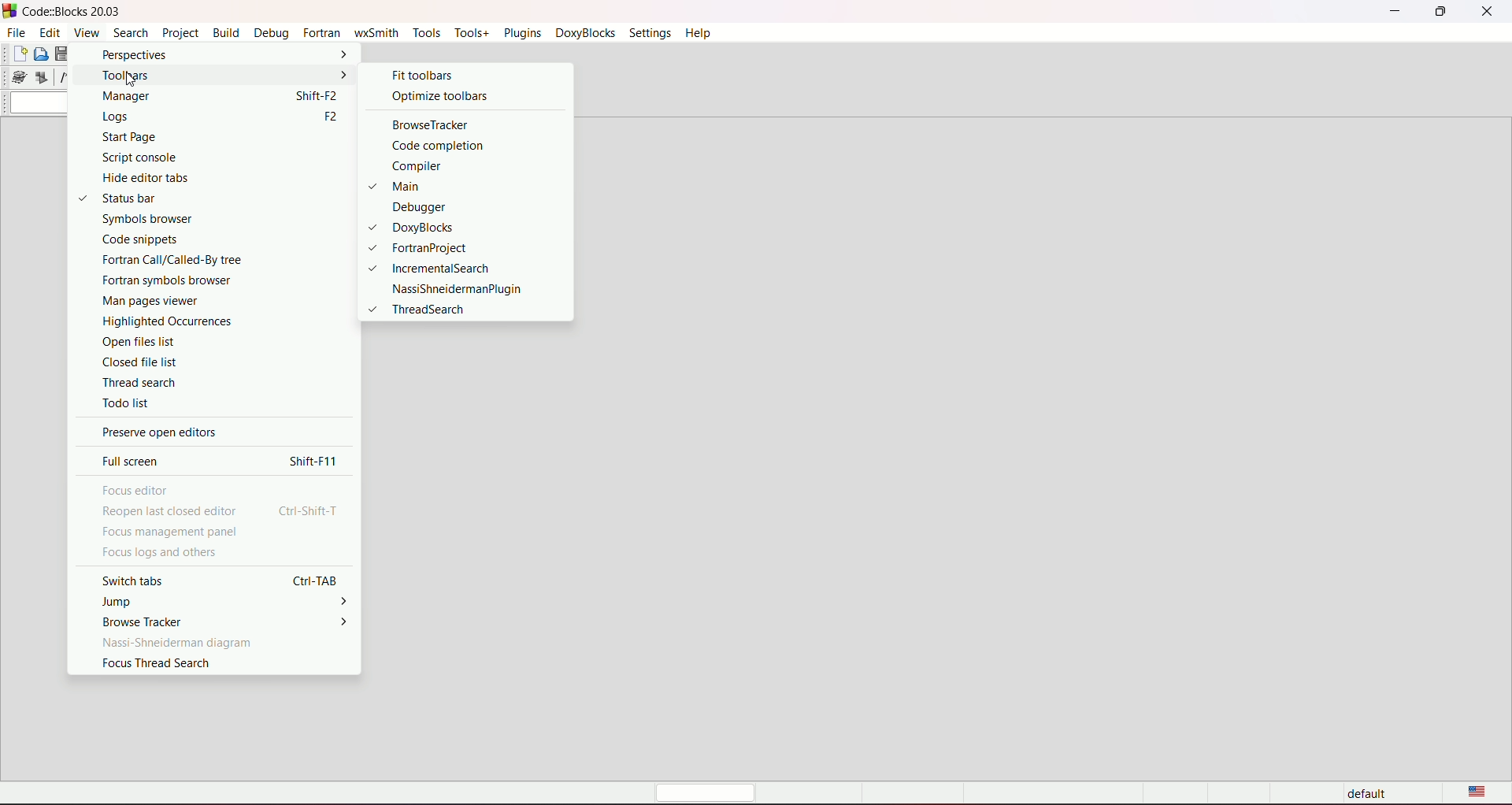 This screenshot has height=805, width=1512. I want to click on , so click(38, 78).